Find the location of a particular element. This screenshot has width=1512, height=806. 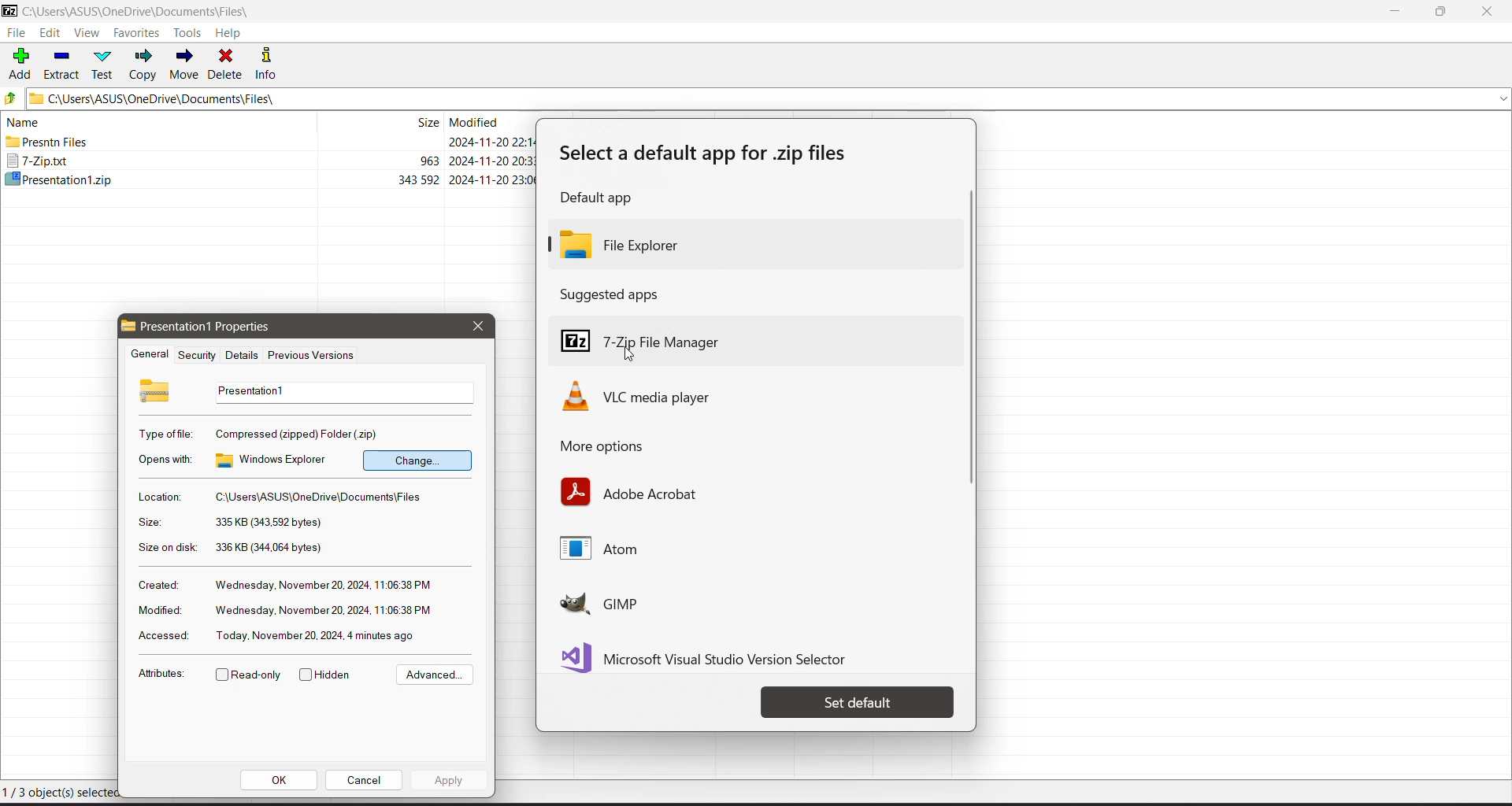

Add is located at coordinates (20, 62).